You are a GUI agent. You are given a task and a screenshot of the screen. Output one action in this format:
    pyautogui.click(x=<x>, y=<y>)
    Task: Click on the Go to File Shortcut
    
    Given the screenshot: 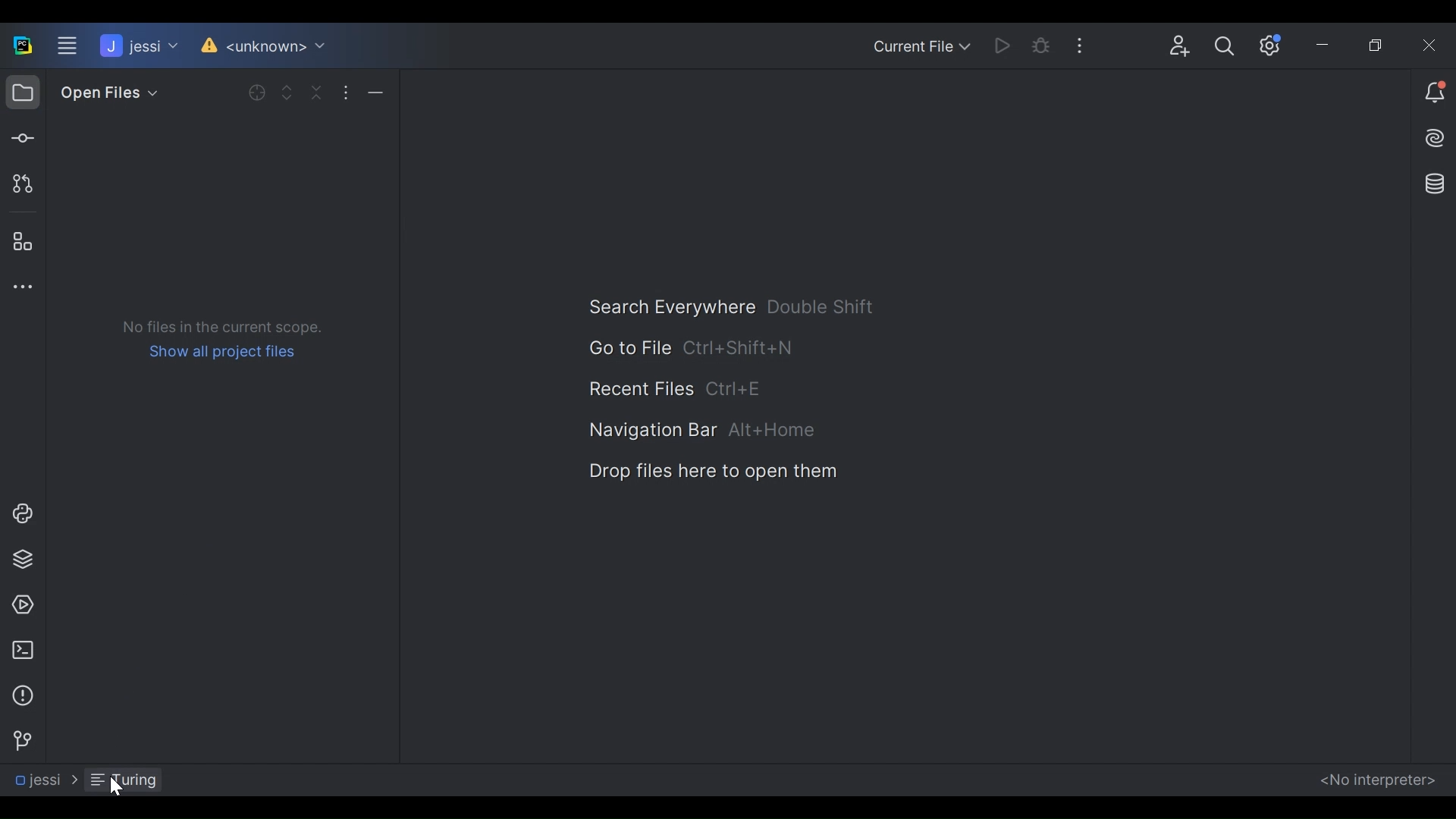 What is the action you would take?
    pyautogui.click(x=686, y=347)
    